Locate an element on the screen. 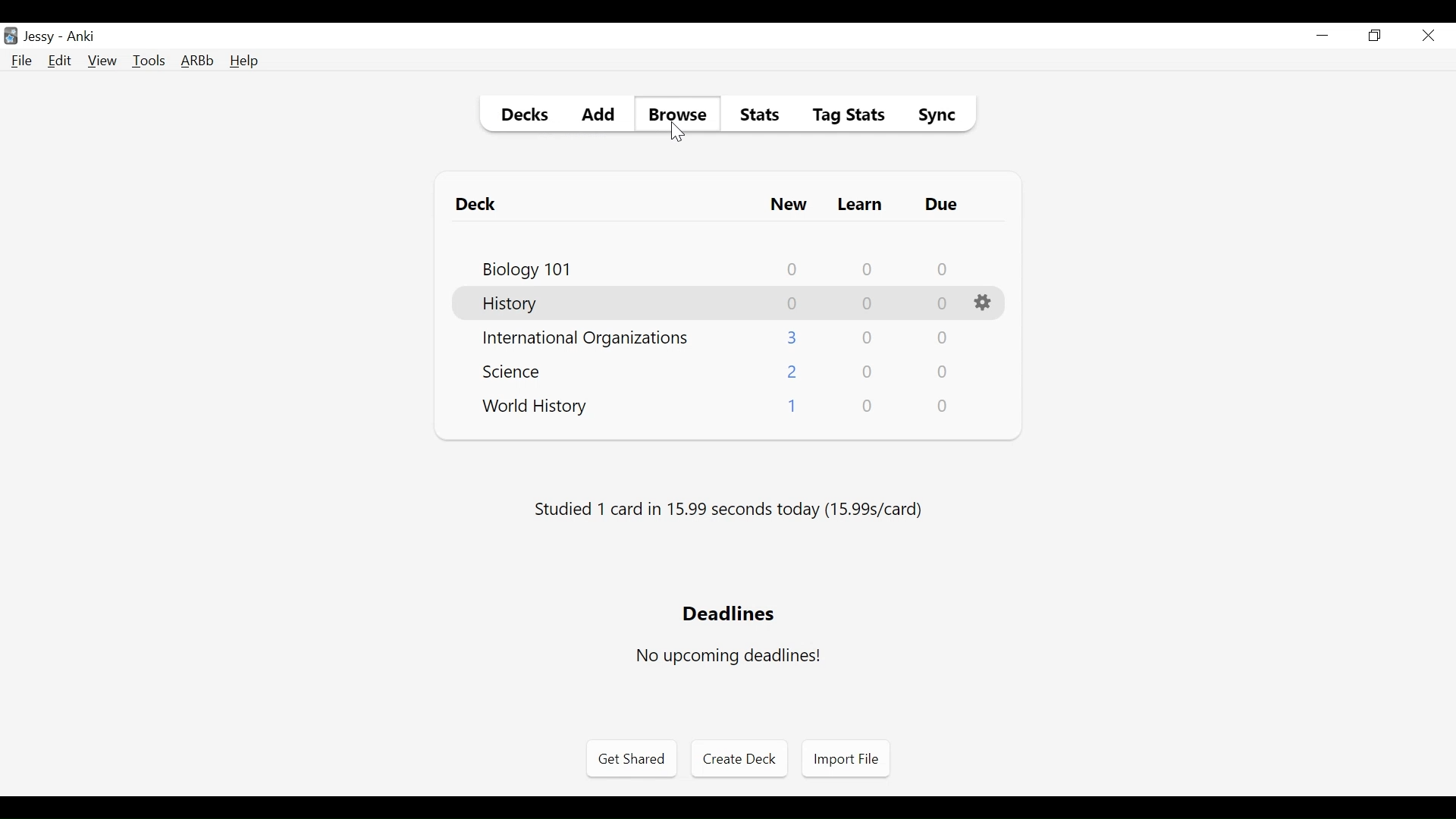  Studied number card in seconds (s/card) is located at coordinates (733, 509).